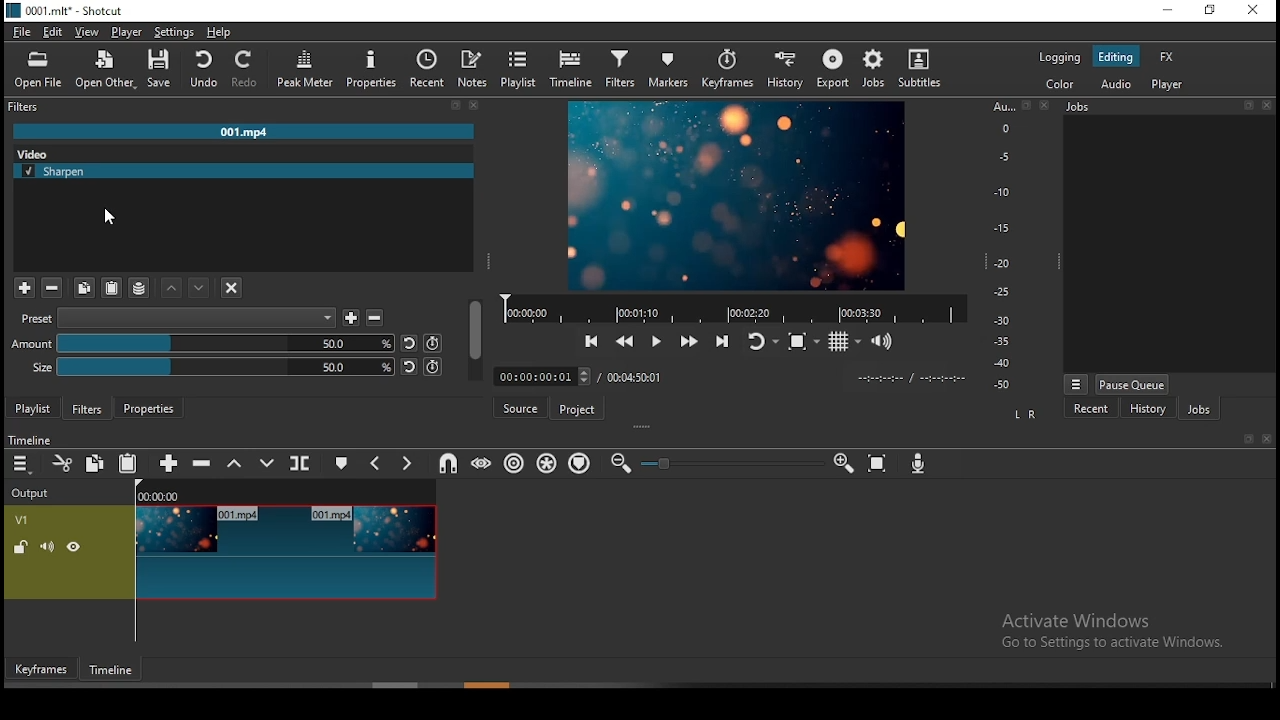  What do you see at coordinates (911, 377) in the screenshot?
I see `timer format` at bounding box center [911, 377].